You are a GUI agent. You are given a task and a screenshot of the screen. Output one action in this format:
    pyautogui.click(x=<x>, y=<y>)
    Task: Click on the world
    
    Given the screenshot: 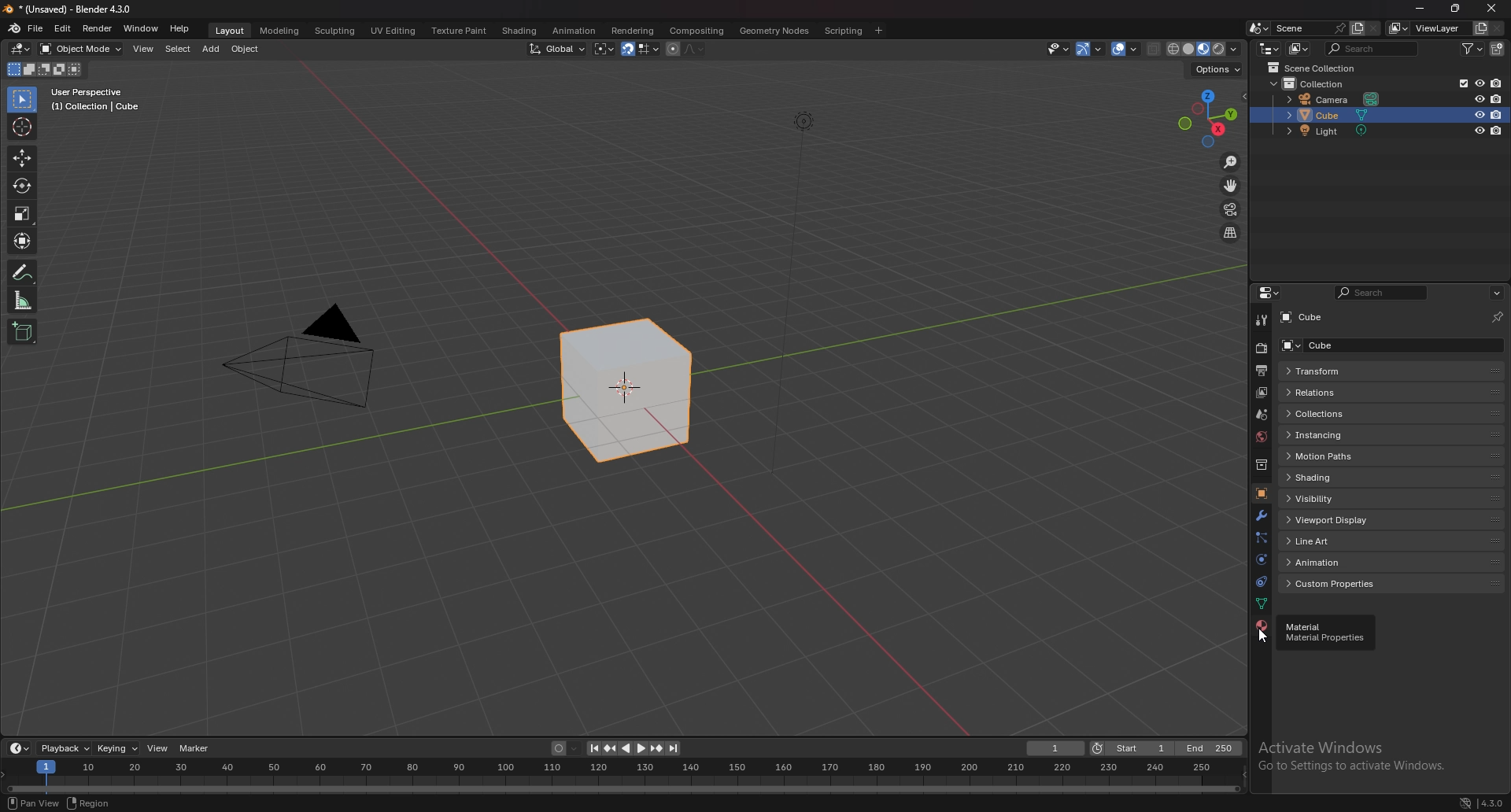 What is the action you would take?
    pyautogui.click(x=1263, y=435)
    